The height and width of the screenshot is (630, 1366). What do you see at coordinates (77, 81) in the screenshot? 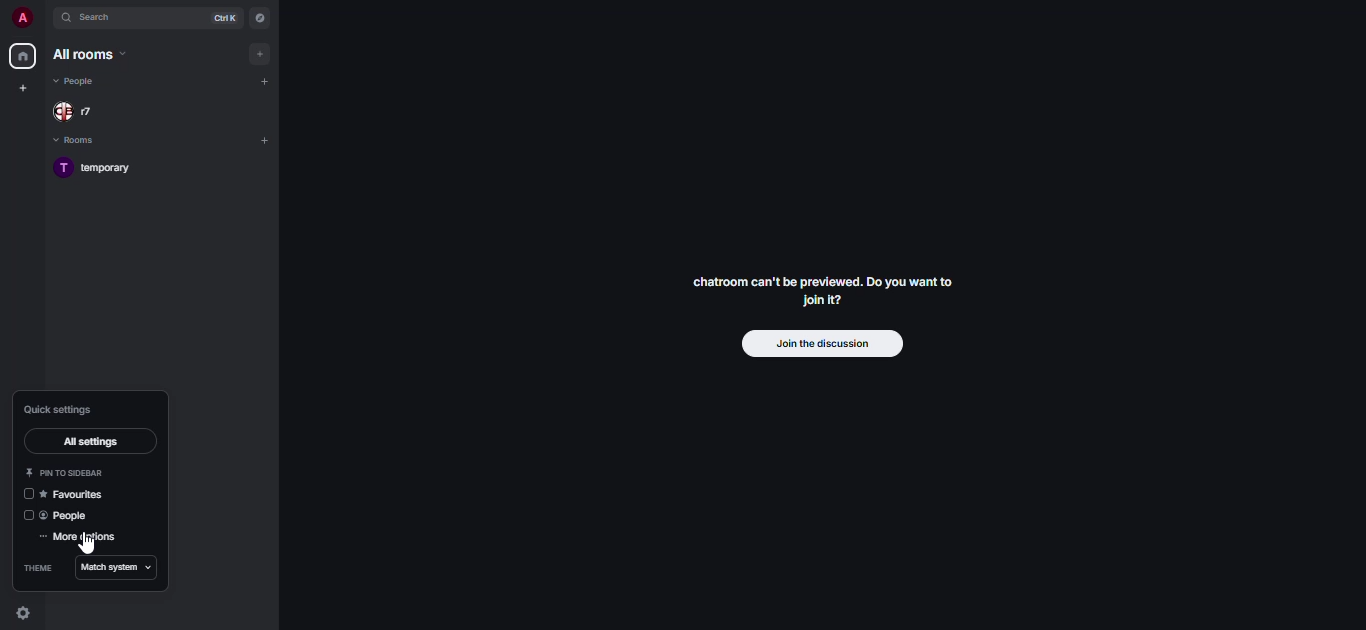
I see `people` at bounding box center [77, 81].